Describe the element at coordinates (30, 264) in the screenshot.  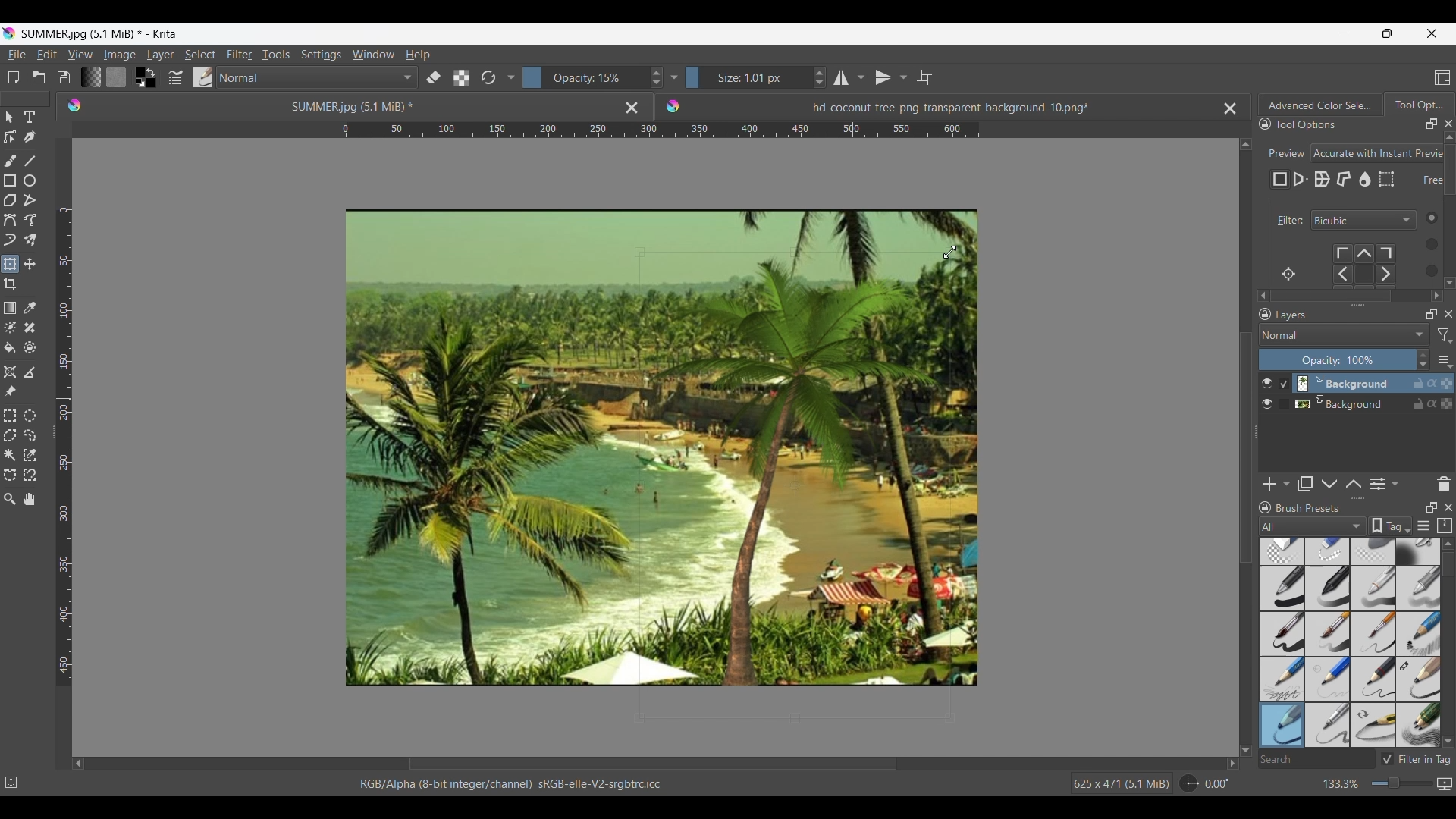
I see `Move position` at that location.